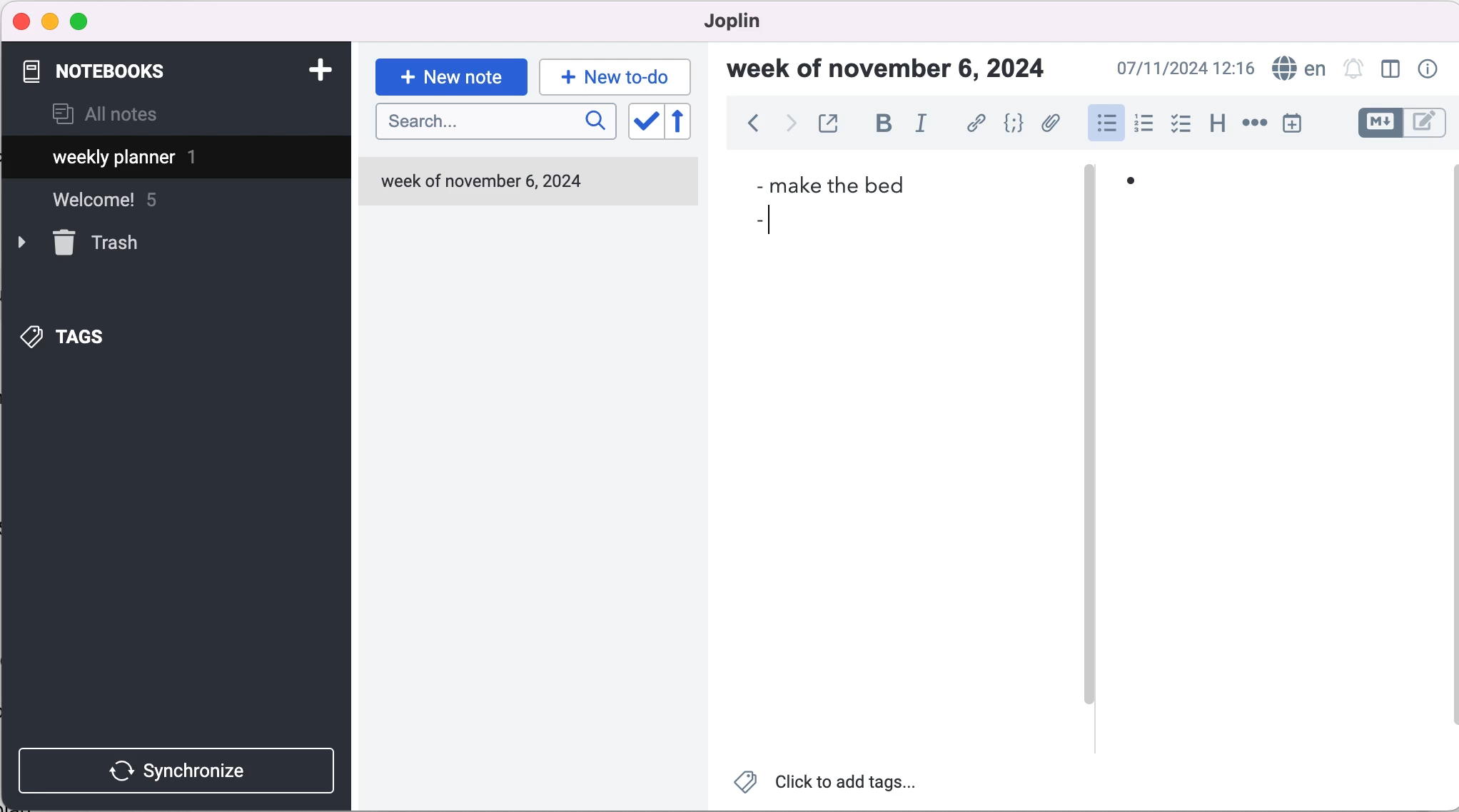 Image resolution: width=1459 pixels, height=812 pixels. What do you see at coordinates (495, 122) in the screenshot?
I see `search` at bounding box center [495, 122].